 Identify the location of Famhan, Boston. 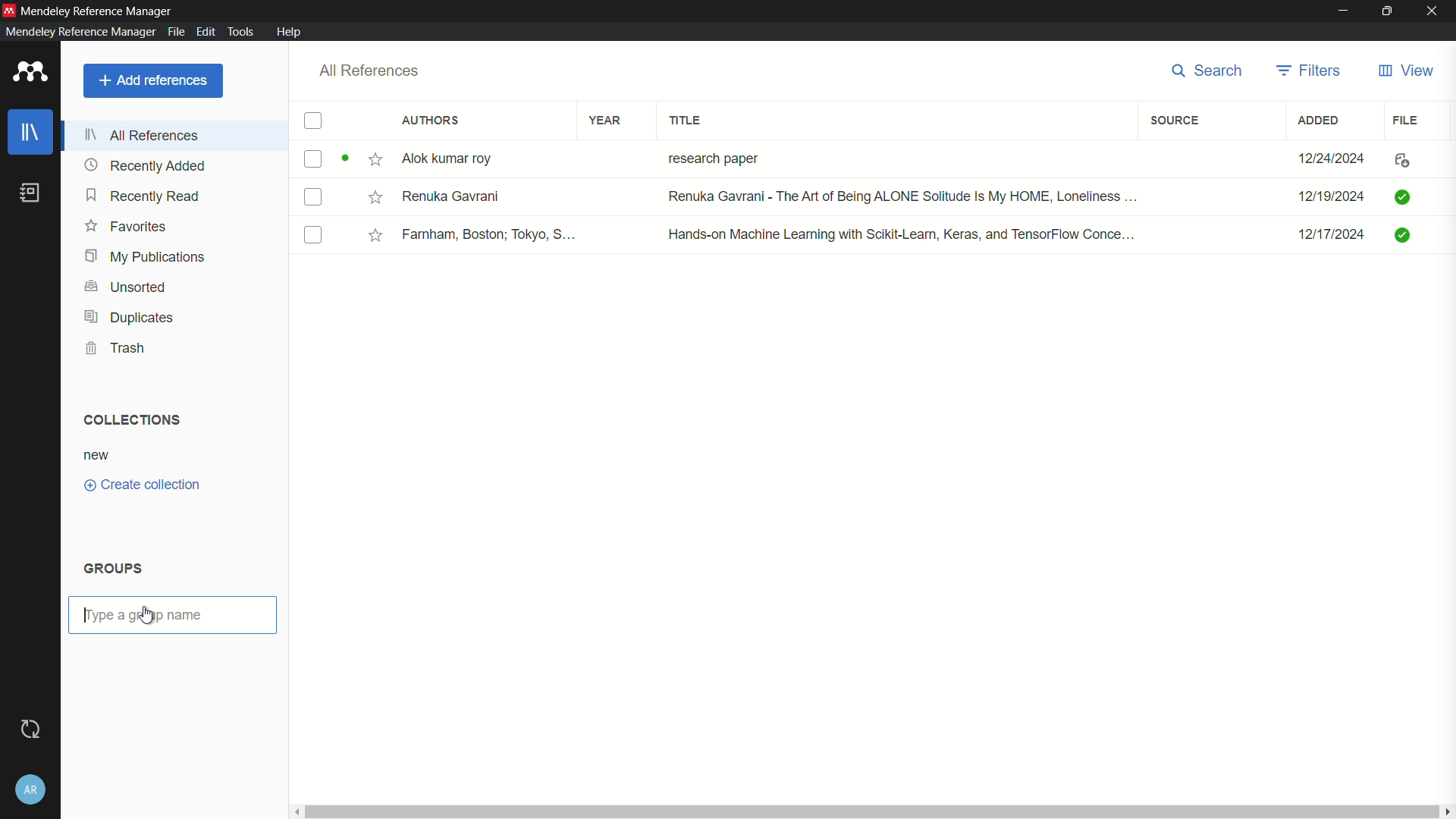
(491, 237).